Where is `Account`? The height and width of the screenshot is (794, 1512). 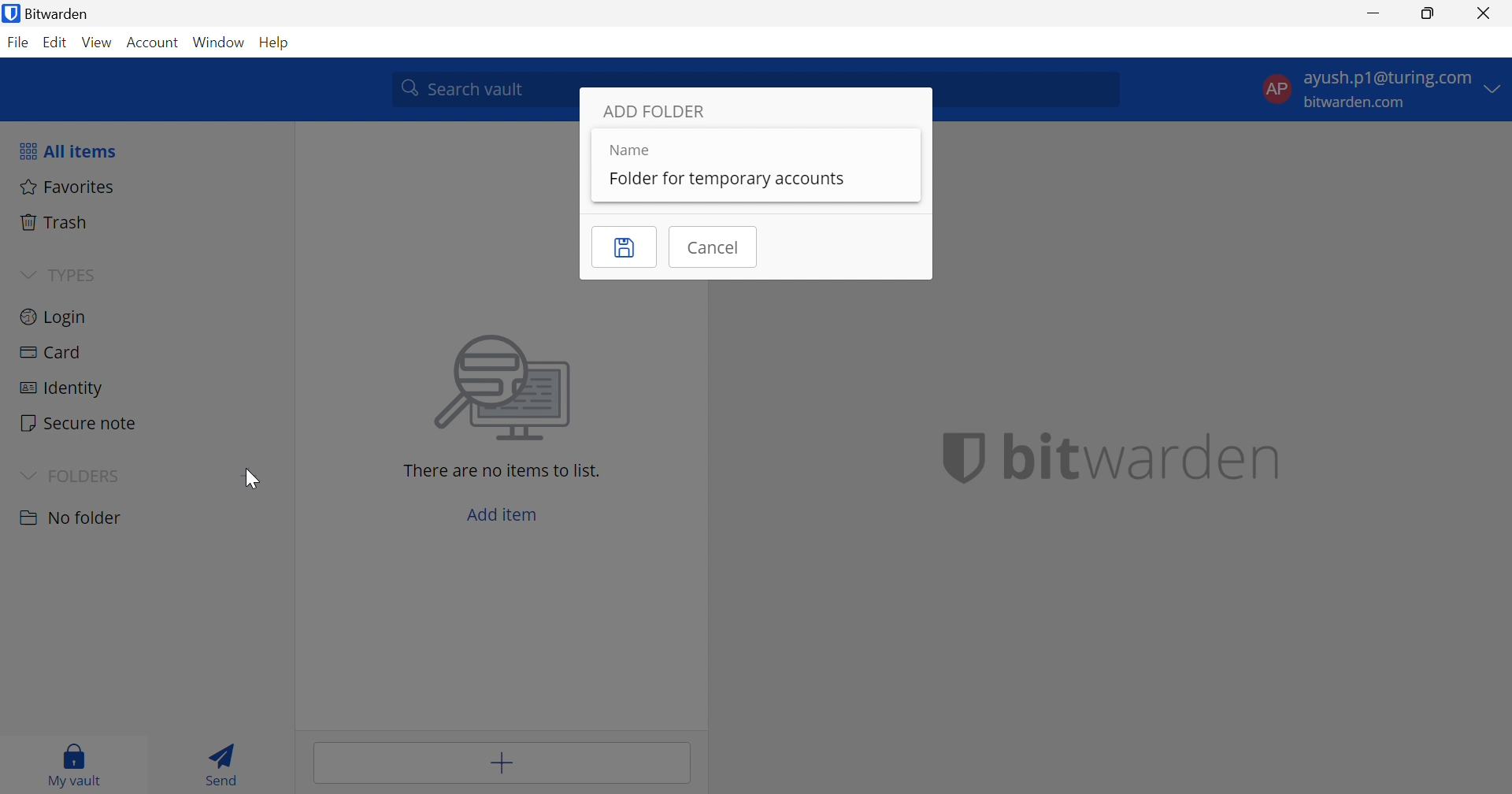 Account is located at coordinates (153, 43).